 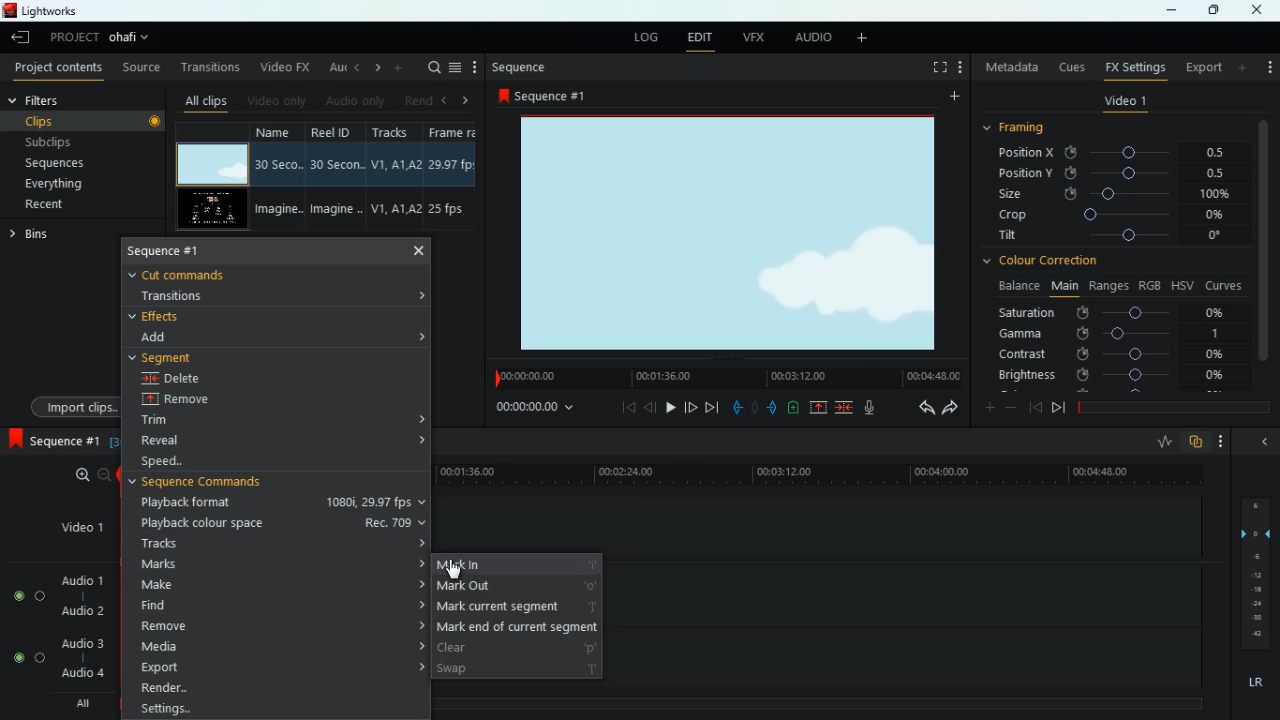 I want to click on menu, so click(x=457, y=66).